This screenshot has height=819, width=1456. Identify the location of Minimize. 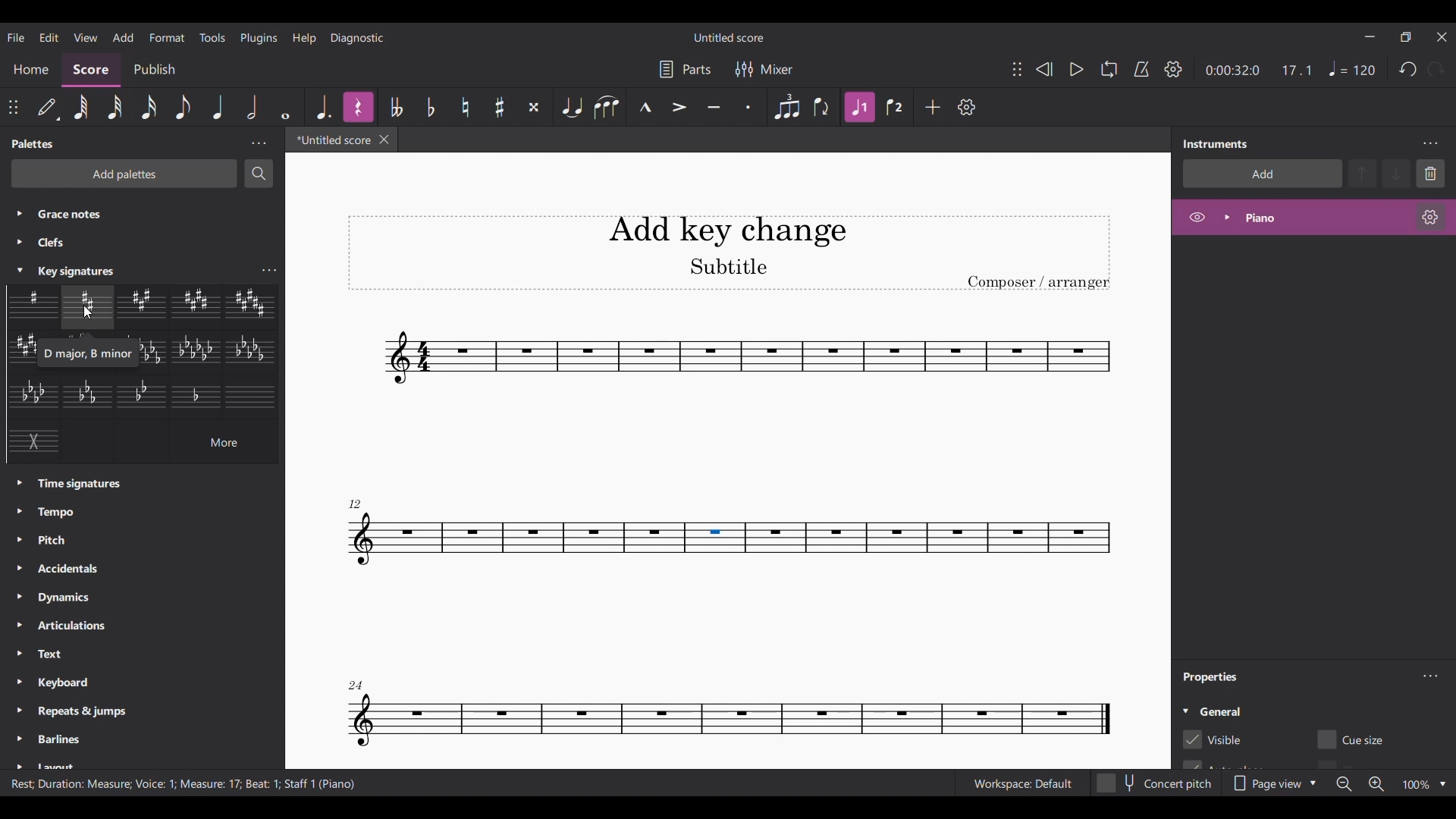
(1370, 36).